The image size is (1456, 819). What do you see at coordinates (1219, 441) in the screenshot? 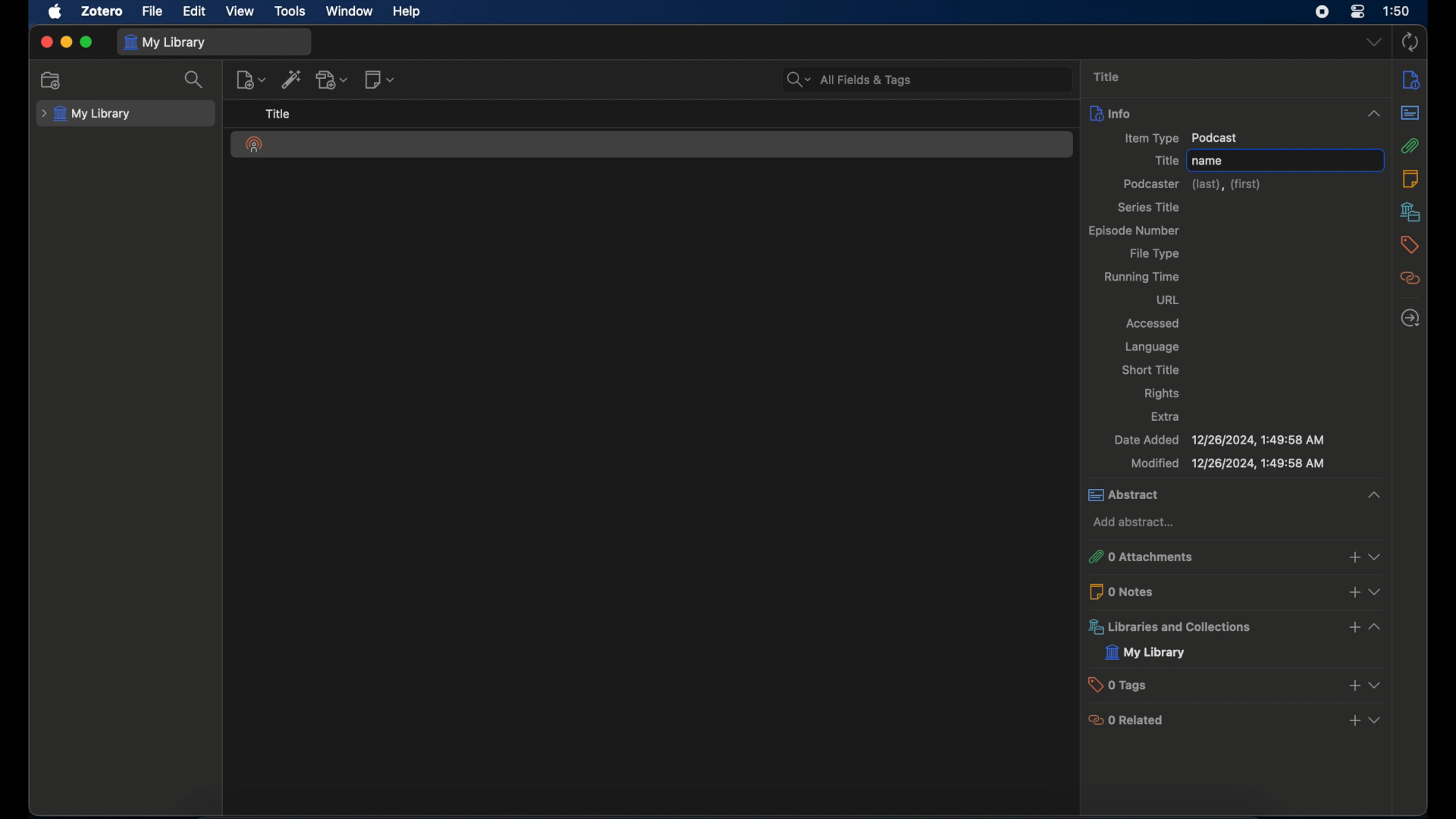
I see `date added 12/26/2024, 1:49:58 AM` at bounding box center [1219, 441].